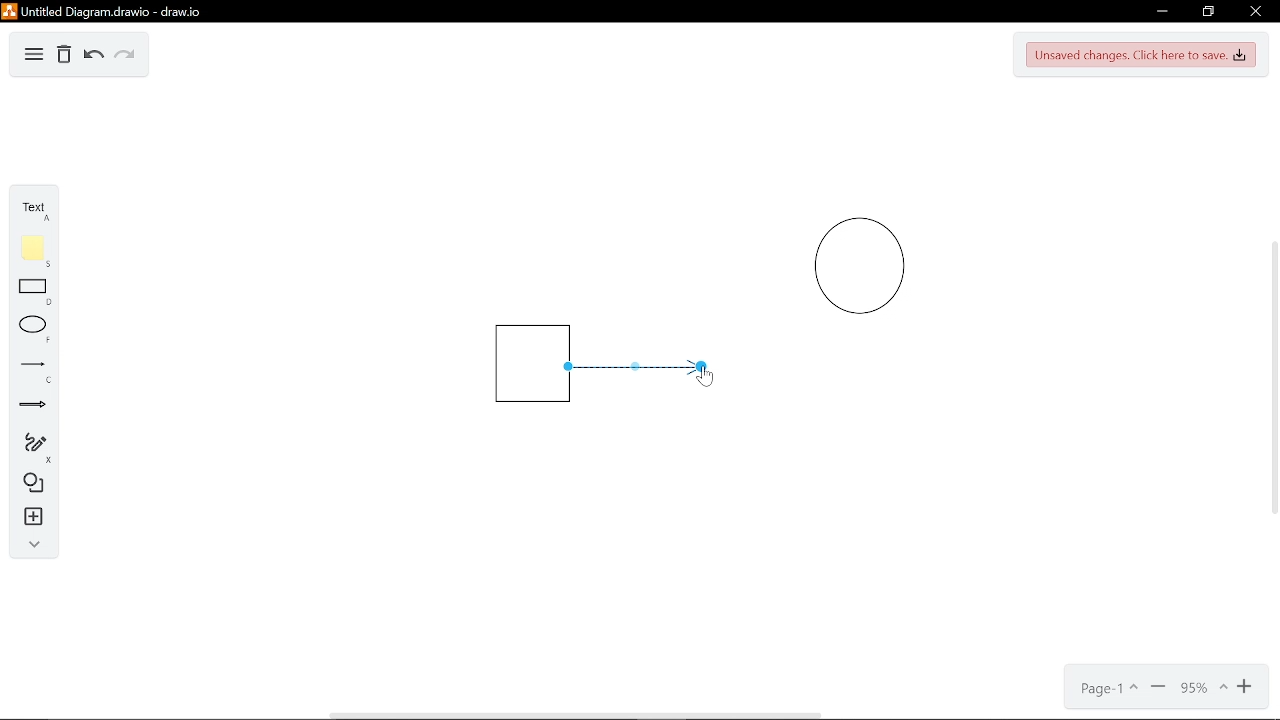 The image size is (1280, 720). I want to click on Delete, so click(64, 55).